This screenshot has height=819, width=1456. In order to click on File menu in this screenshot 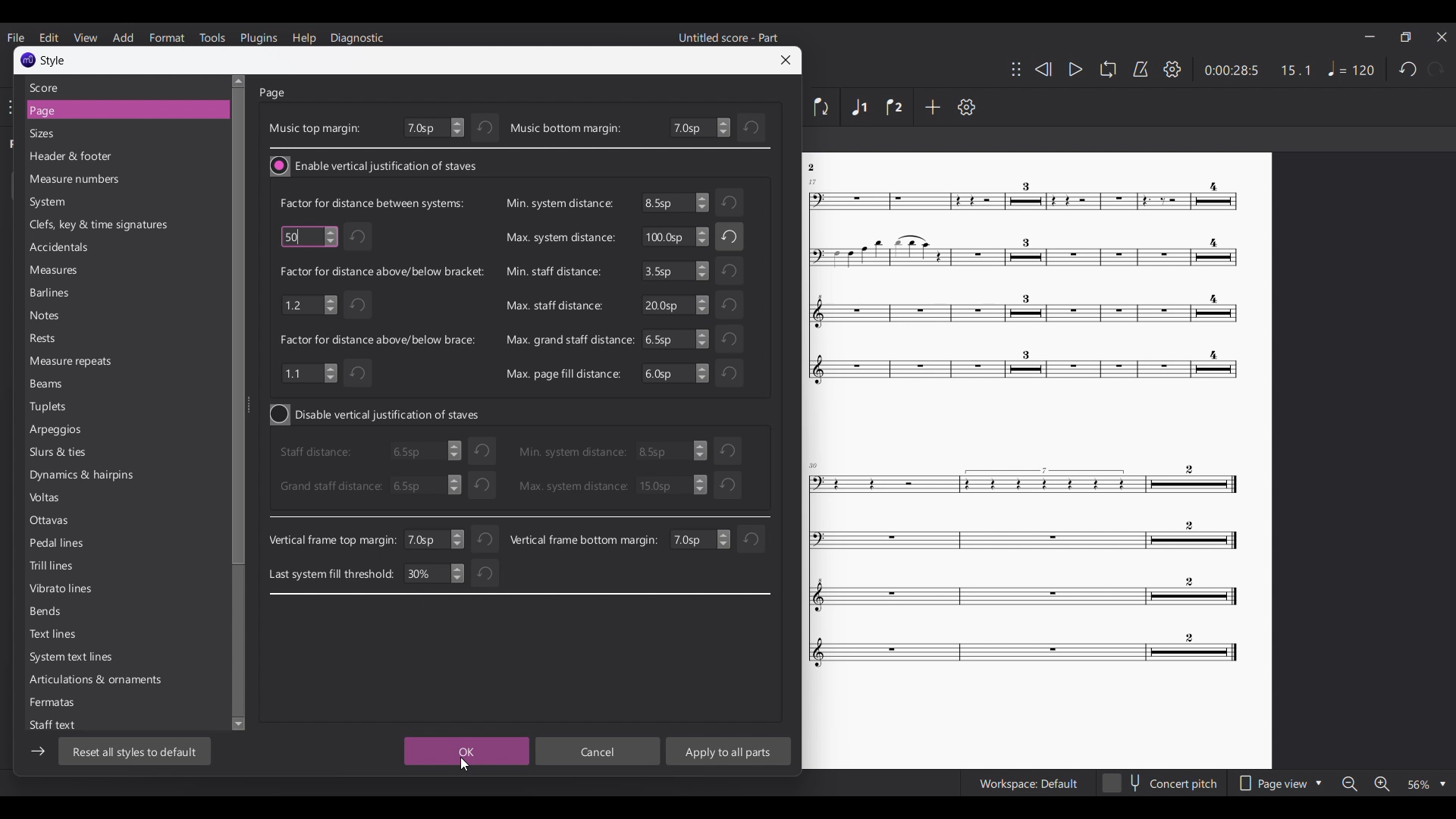, I will do `click(15, 37)`.